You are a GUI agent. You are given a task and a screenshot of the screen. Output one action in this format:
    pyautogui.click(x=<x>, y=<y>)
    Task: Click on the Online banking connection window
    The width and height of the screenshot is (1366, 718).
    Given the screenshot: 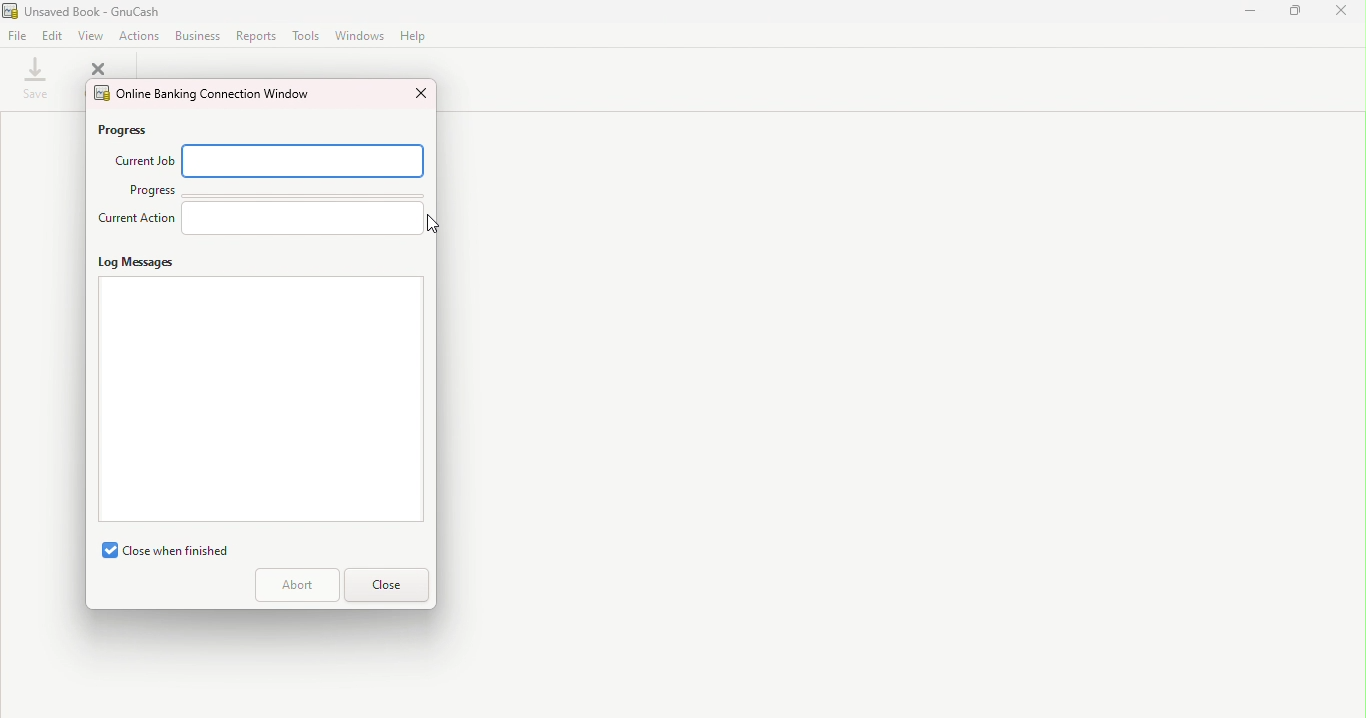 What is the action you would take?
    pyautogui.click(x=201, y=93)
    